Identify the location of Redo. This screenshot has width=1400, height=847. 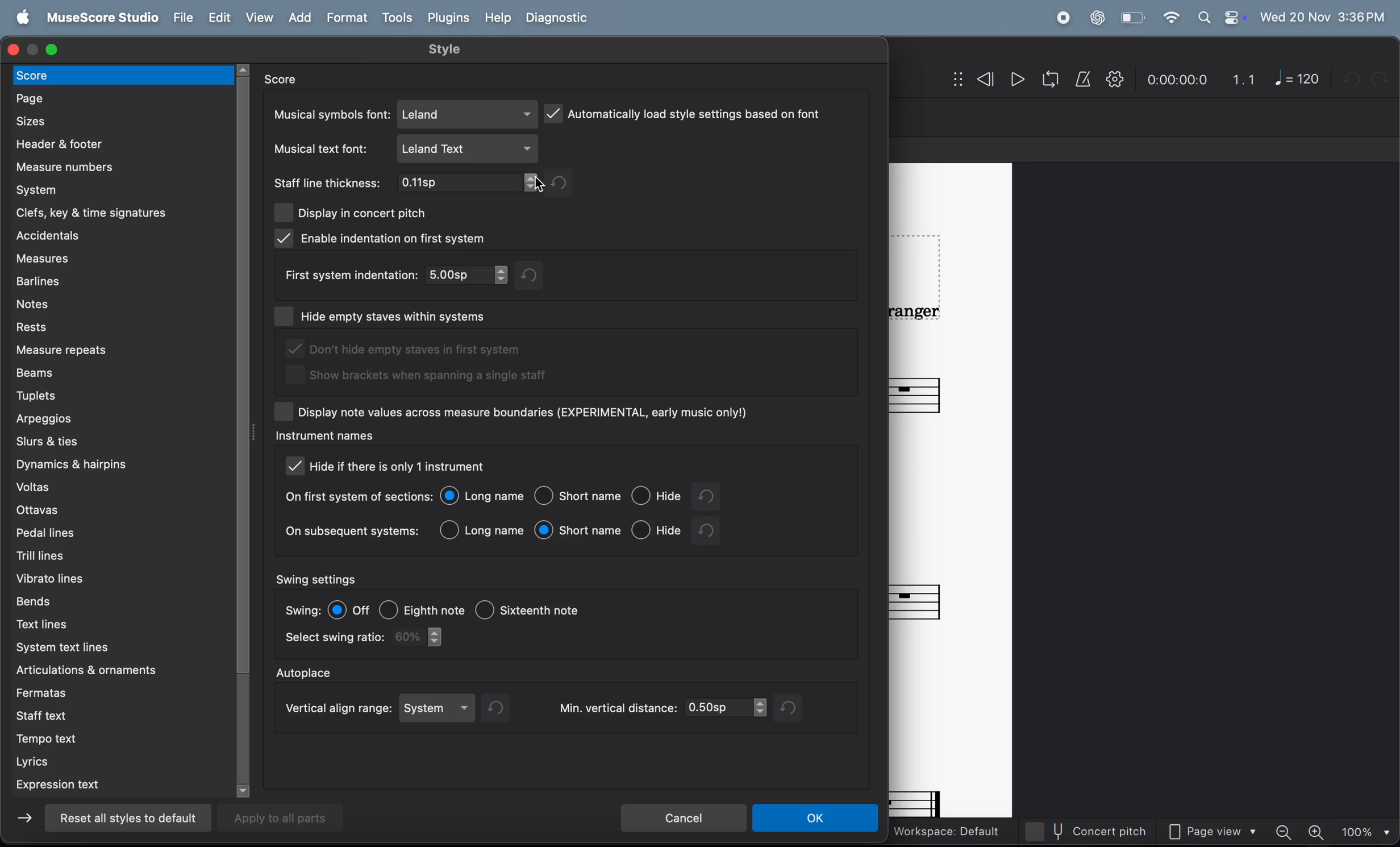
(1384, 78).